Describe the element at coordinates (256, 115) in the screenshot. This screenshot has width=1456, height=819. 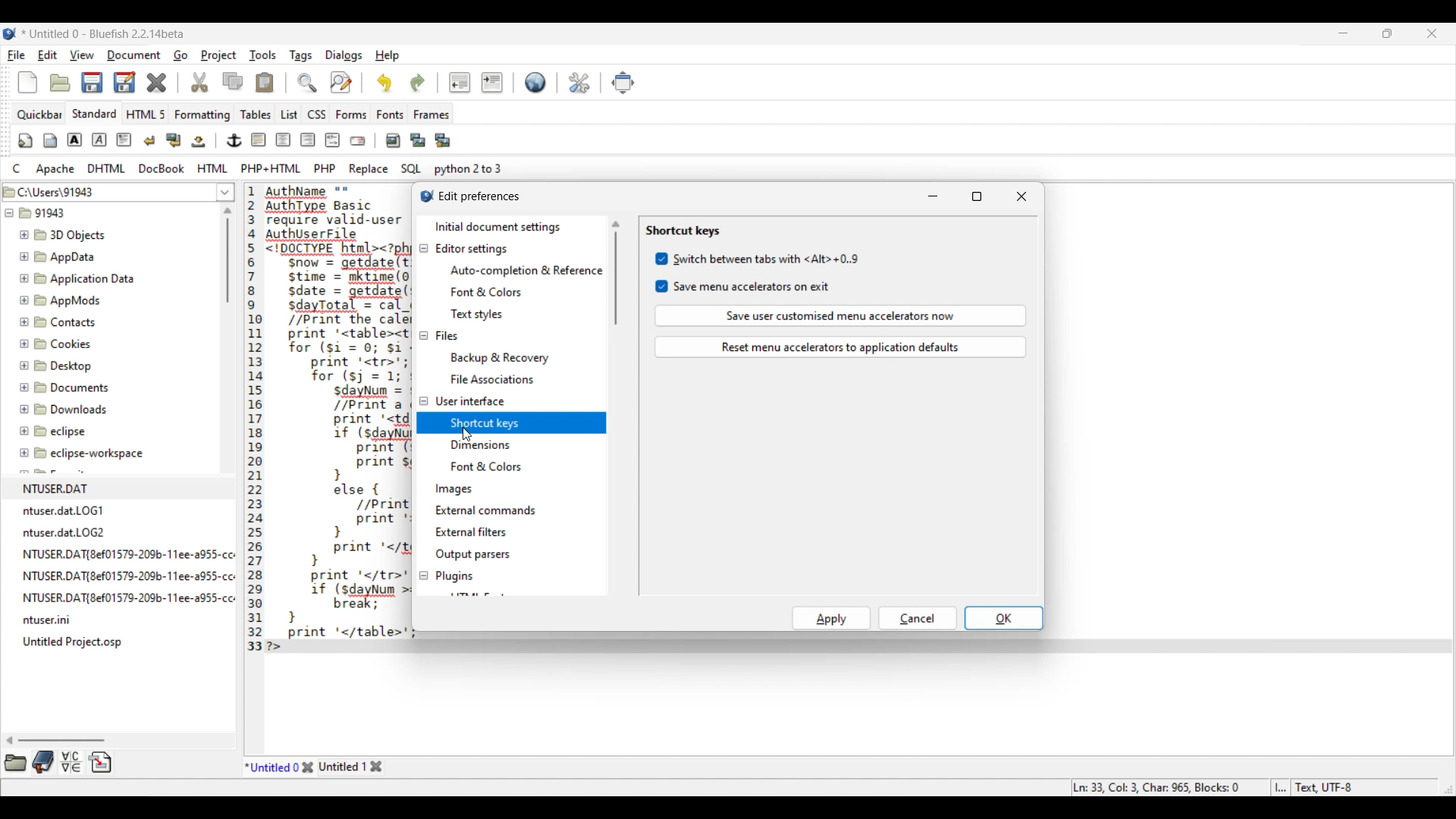
I see `Tables` at that location.